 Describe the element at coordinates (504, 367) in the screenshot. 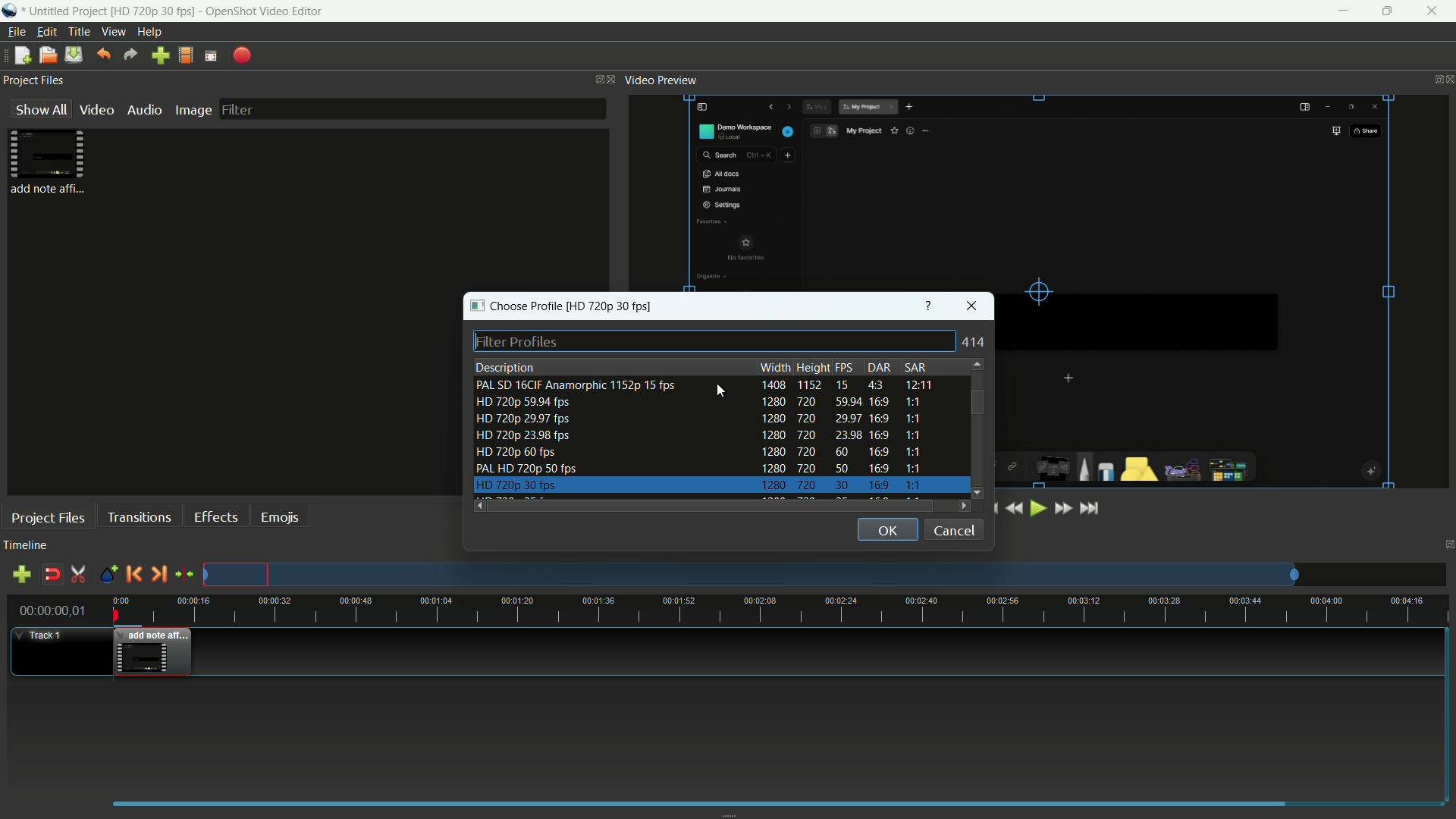

I see `description` at that location.